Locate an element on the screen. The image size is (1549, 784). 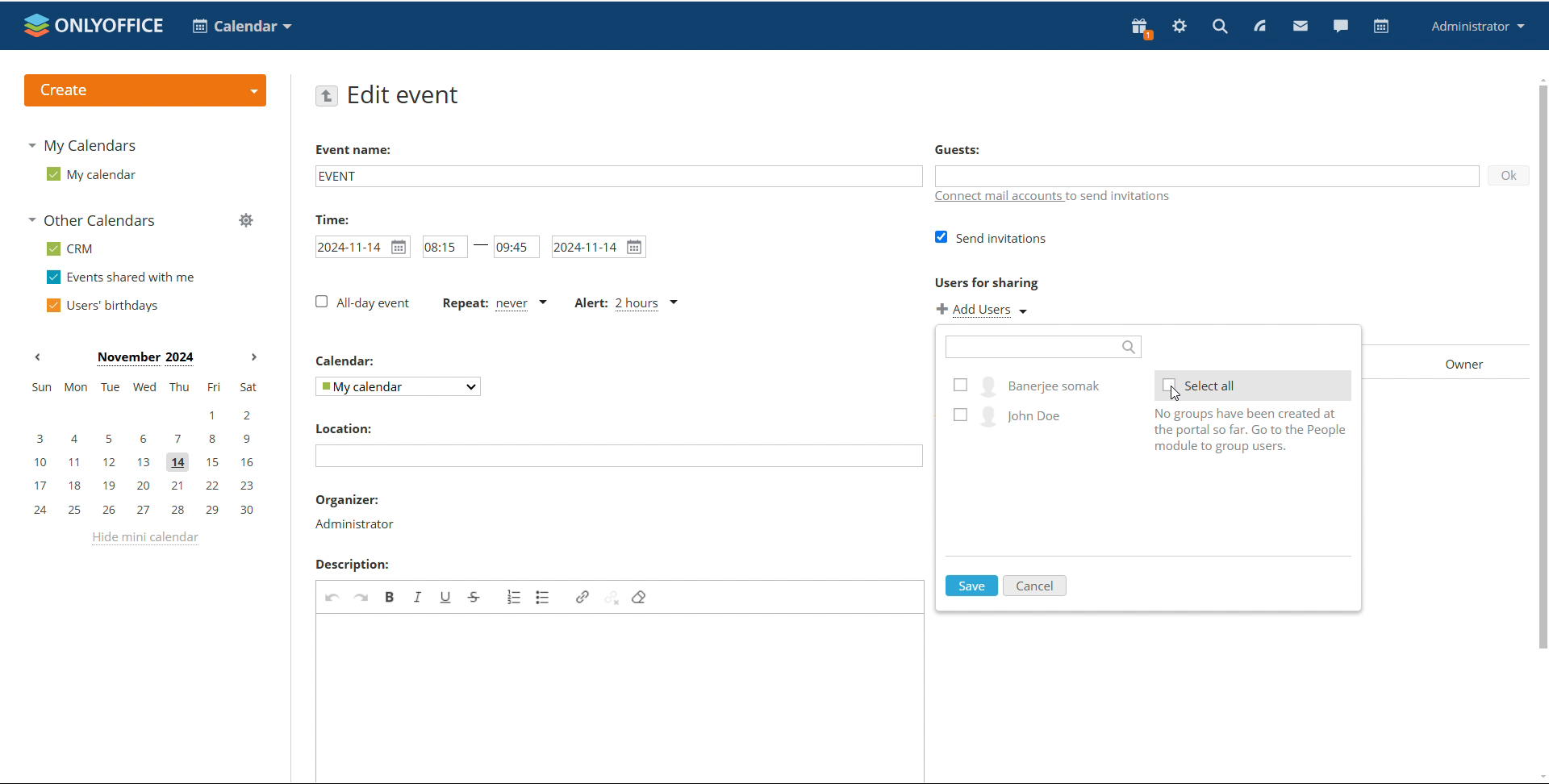
italic is located at coordinates (419, 596).